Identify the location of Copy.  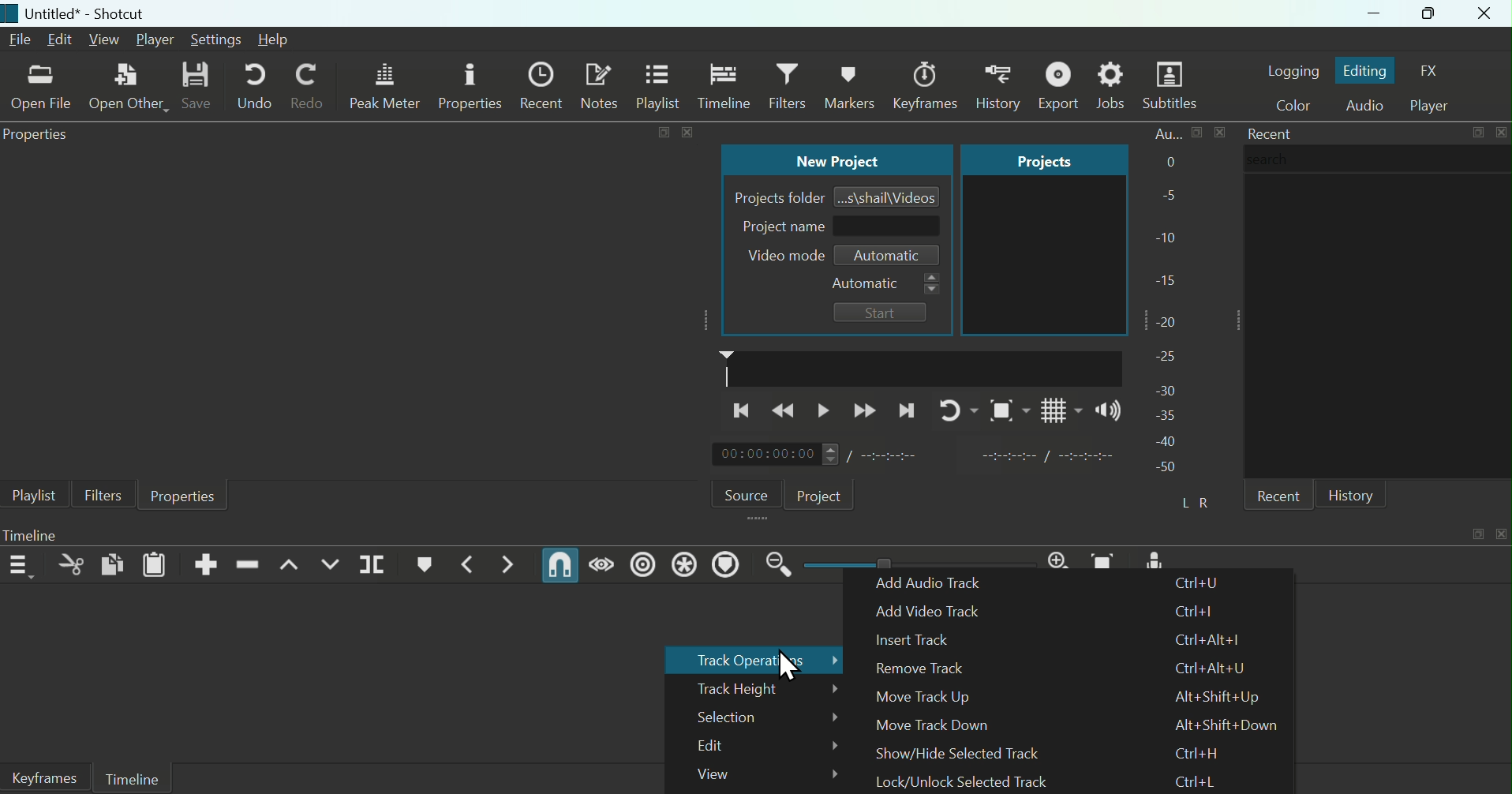
(111, 566).